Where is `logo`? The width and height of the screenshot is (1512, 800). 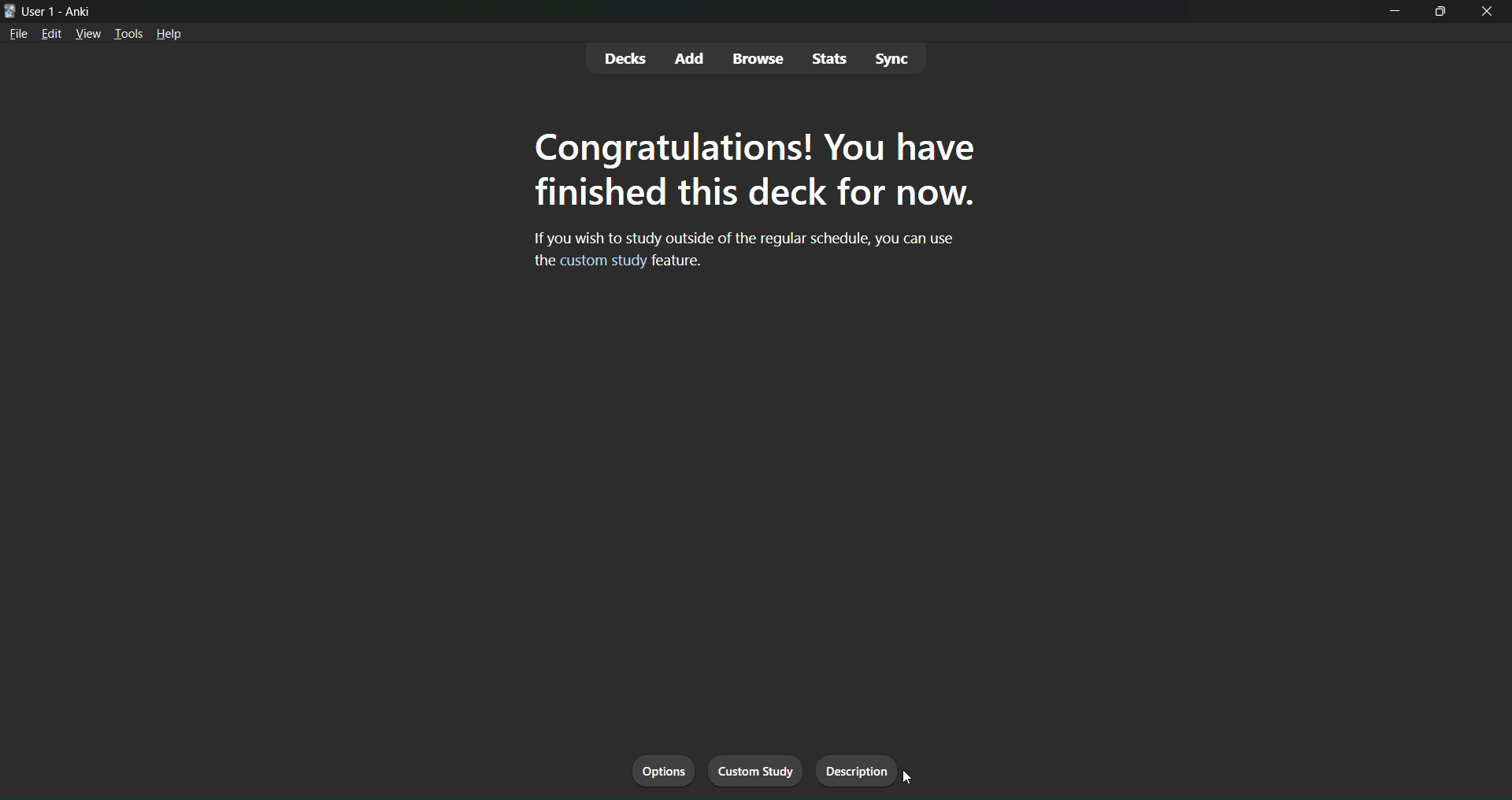
logo is located at coordinates (9, 9).